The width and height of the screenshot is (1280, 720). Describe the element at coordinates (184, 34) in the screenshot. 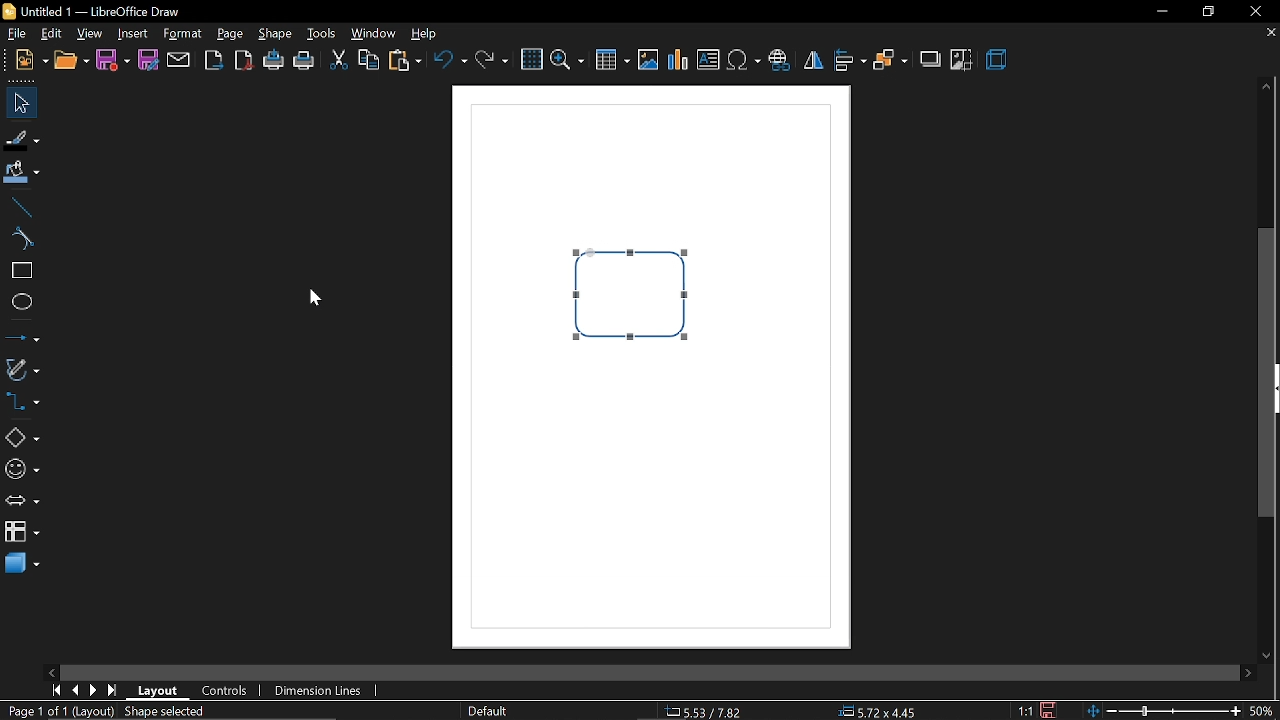

I see `format` at that location.